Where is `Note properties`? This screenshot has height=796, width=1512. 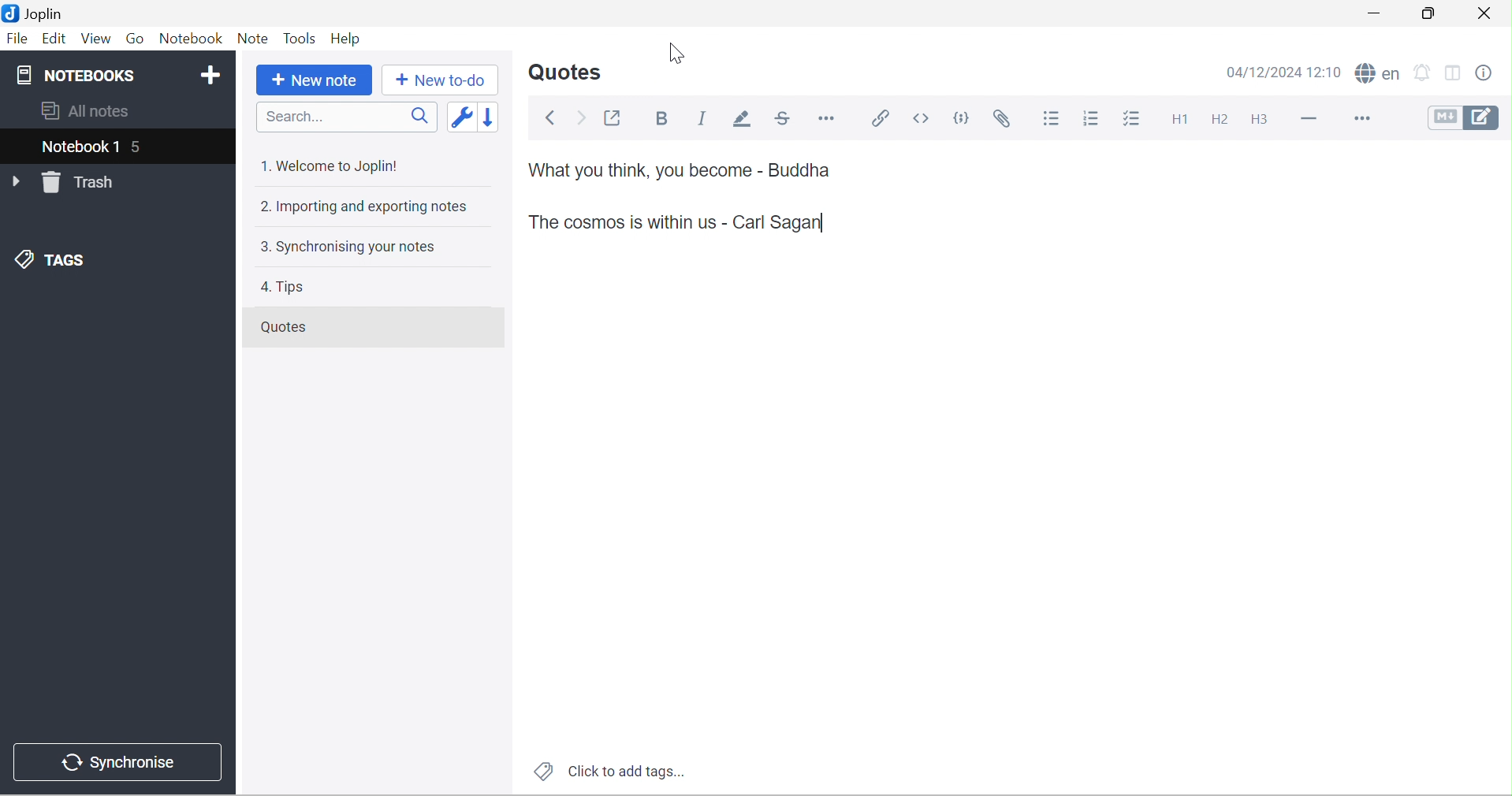 Note properties is located at coordinates (1494, 70).